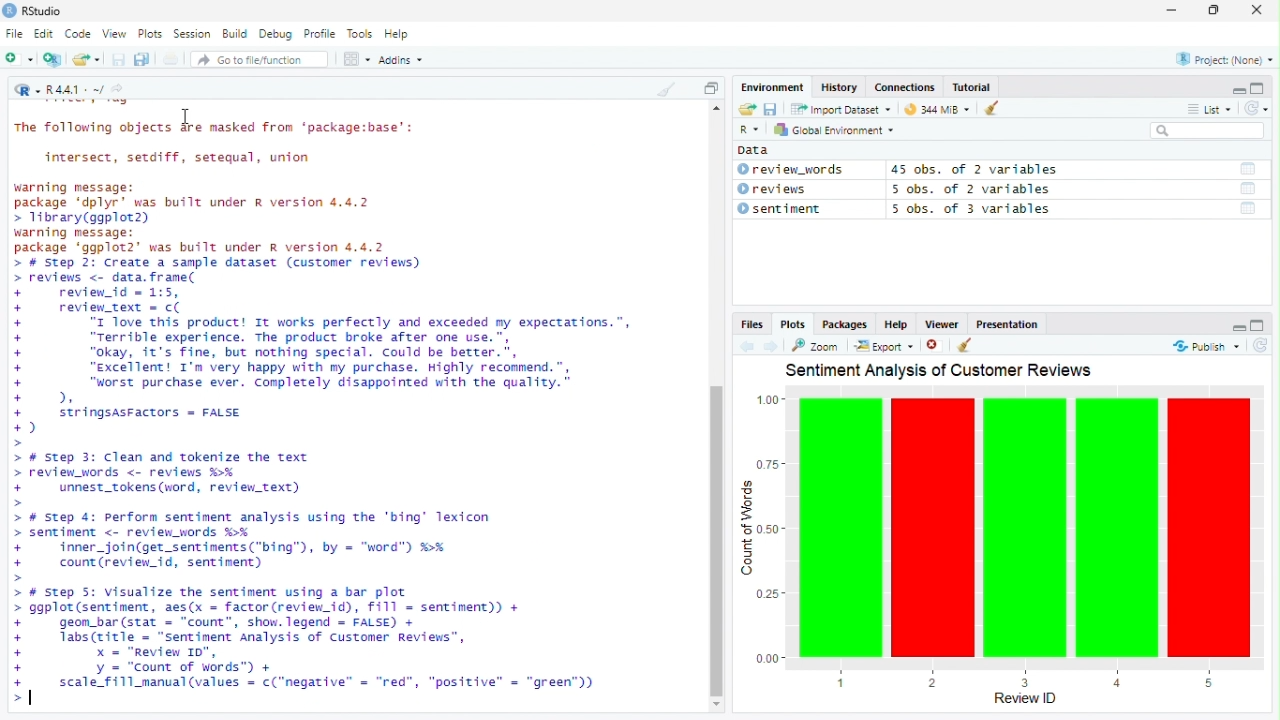 Image resolution: width=1280 pixels, height=720 pixels. What do you see at coordinates (1204, 347) in the screenshot?
I see `Publish` at bounding box center [1204, 347].